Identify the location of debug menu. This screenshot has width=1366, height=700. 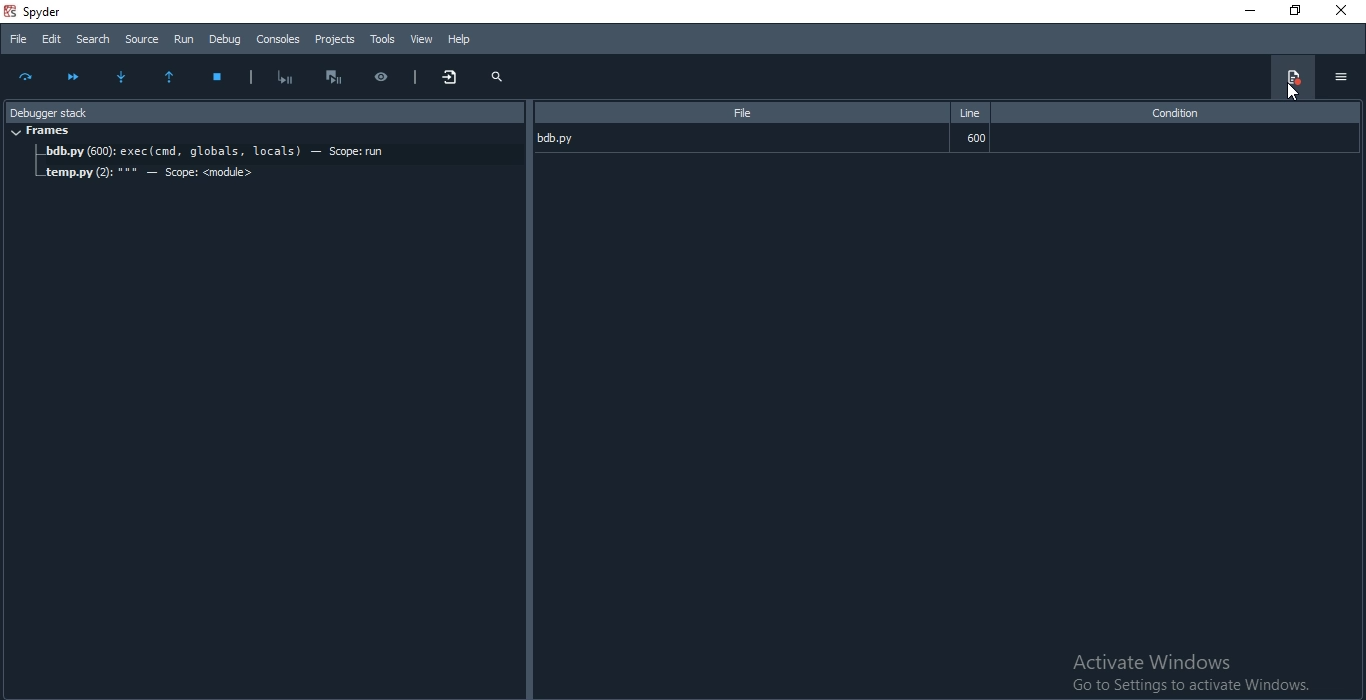
(1291, 77).